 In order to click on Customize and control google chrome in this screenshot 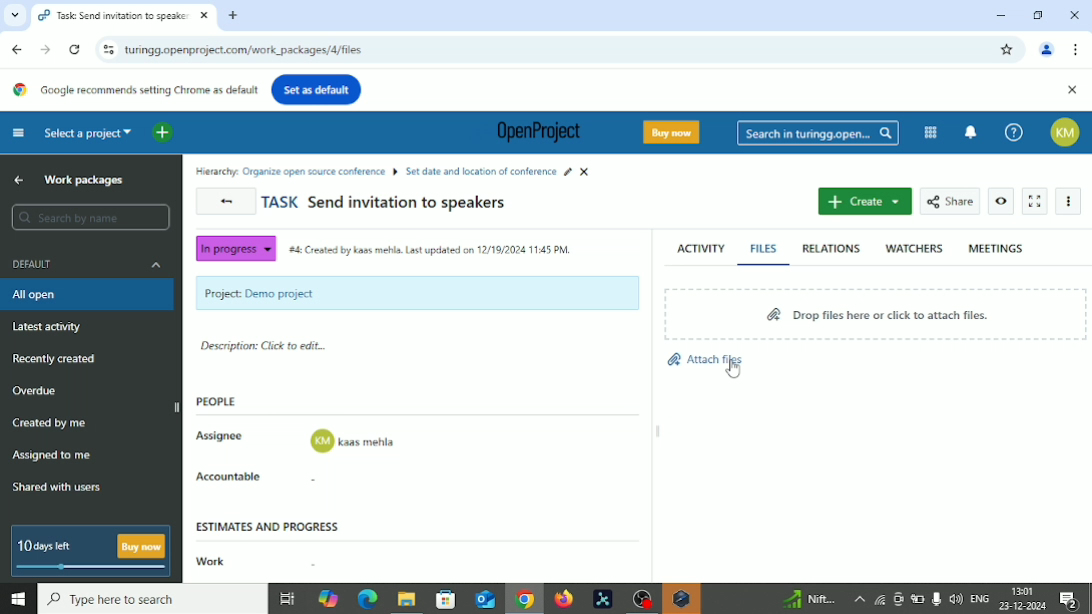, I will do `click(1078, 49)`.